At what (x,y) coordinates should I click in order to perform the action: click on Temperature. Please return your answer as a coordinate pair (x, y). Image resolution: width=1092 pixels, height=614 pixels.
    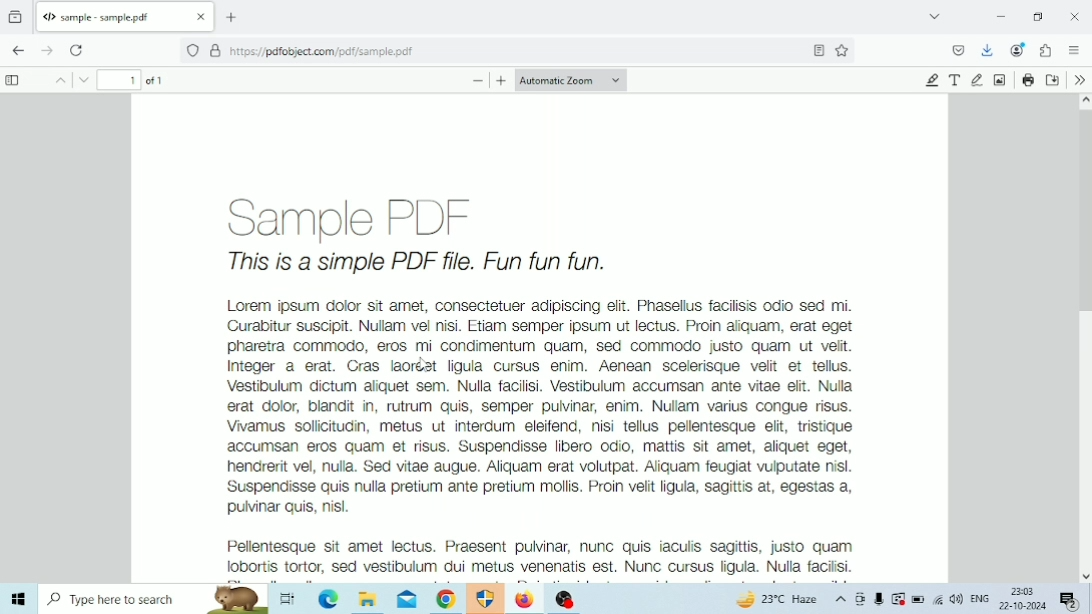
    Looking at the image, I should click on (776, 599).